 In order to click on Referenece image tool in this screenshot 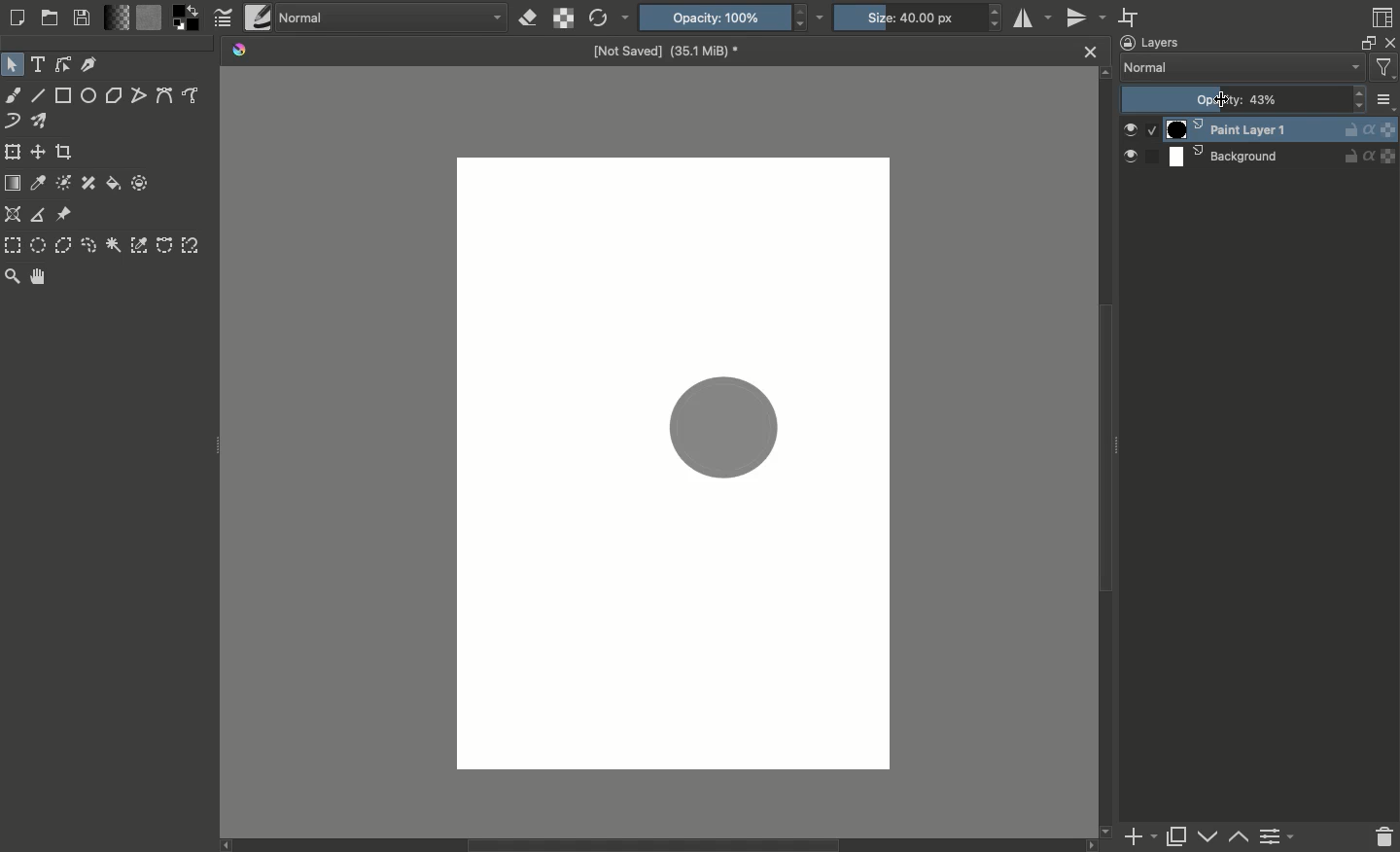, I will do `click(64, 215)`.